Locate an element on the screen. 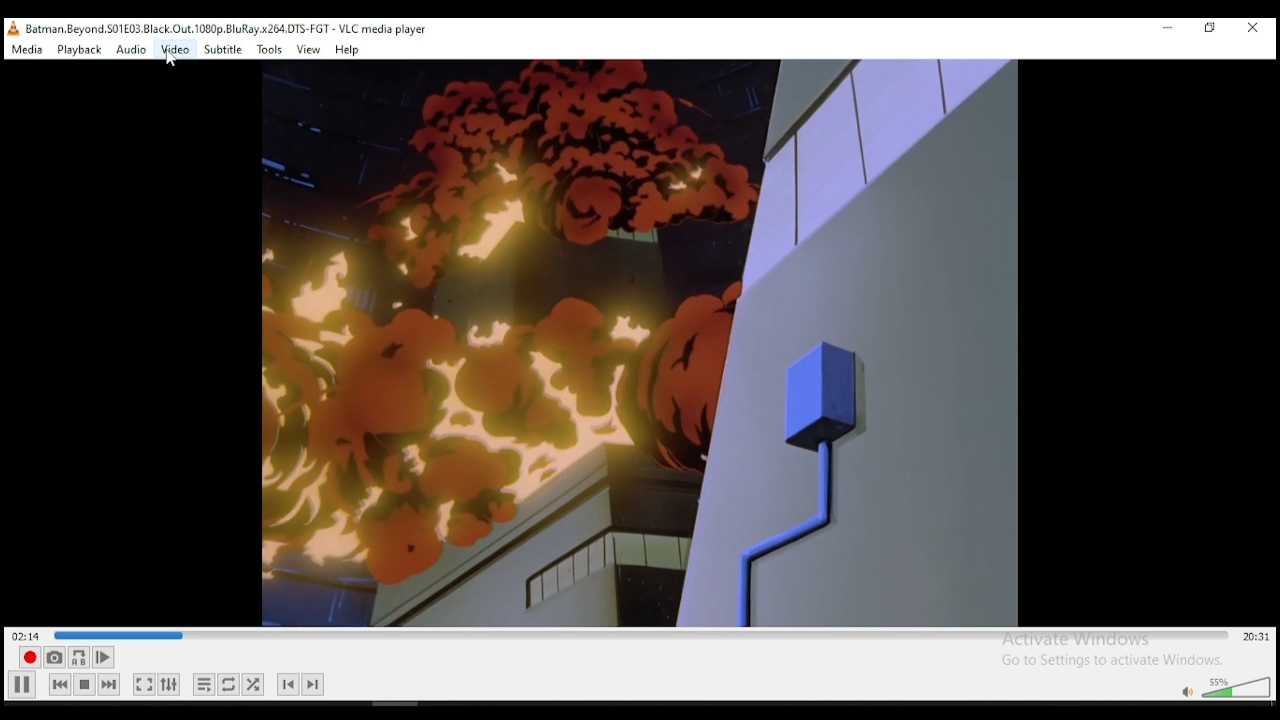  next media in playlist, skips forward when held is located at coordinates (108, 685).